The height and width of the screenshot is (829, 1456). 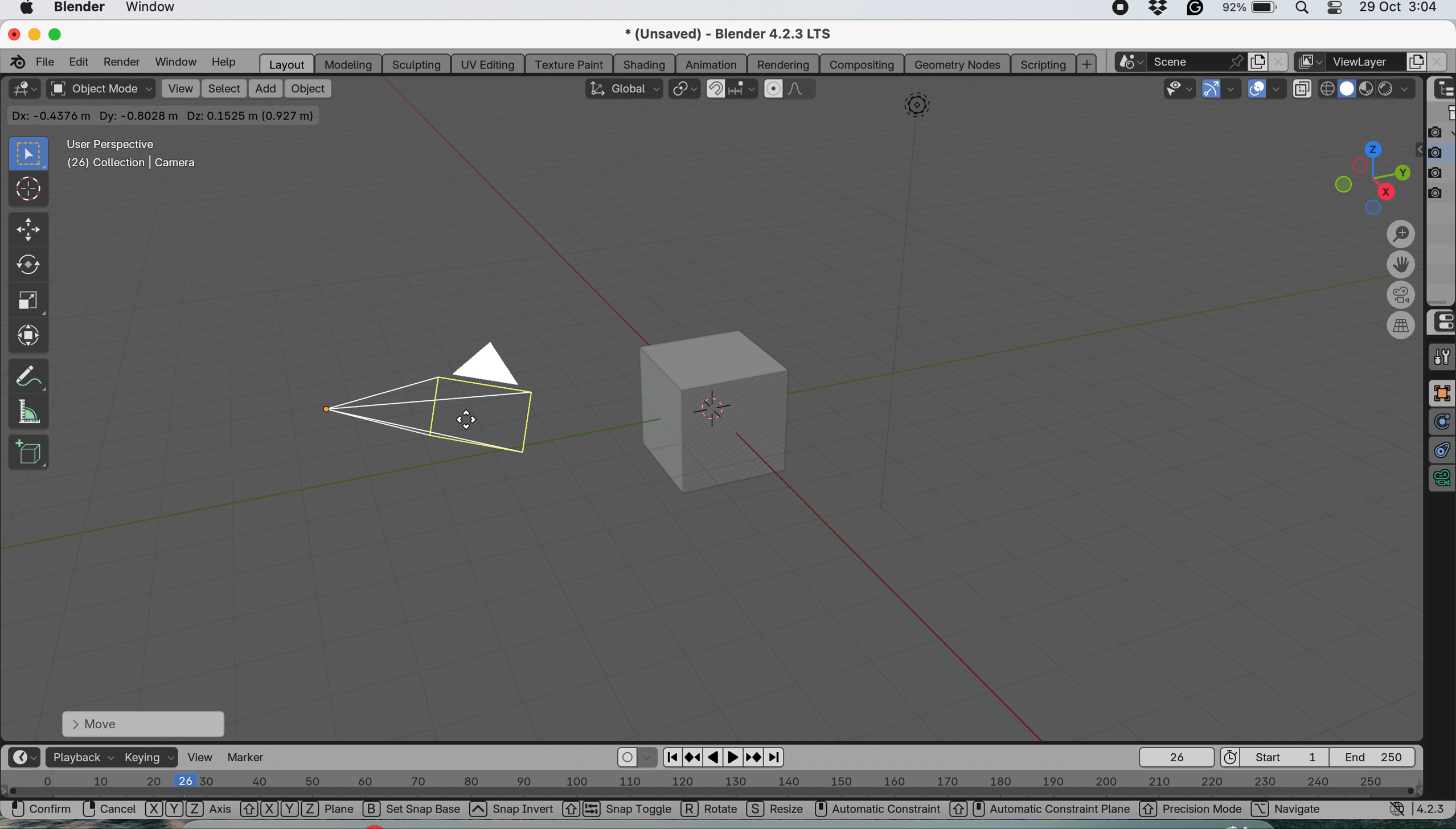 I want to click on snapping, so click(x=744, y=90).